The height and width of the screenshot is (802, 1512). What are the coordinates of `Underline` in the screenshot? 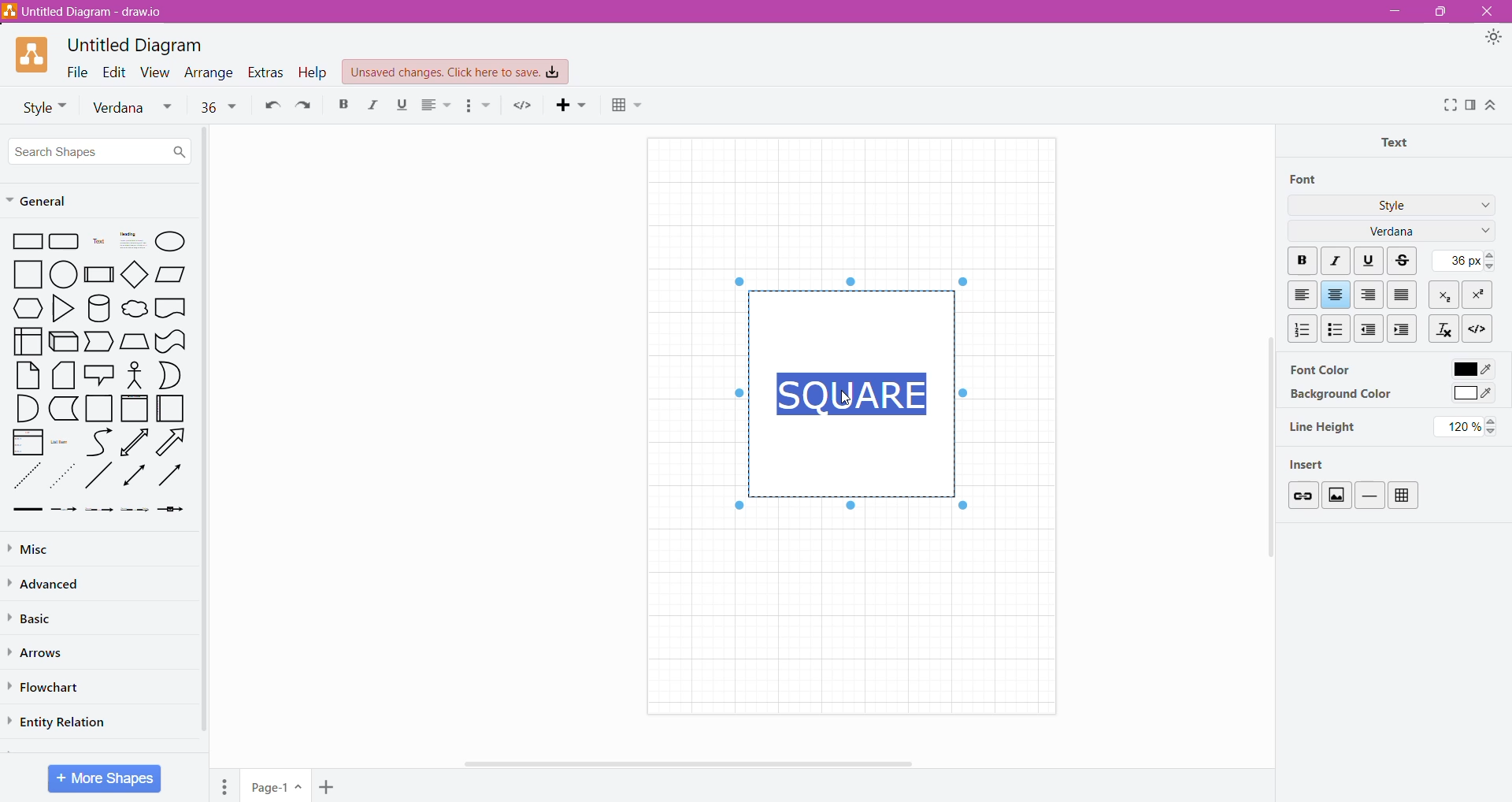 It's located at (1369, 259).